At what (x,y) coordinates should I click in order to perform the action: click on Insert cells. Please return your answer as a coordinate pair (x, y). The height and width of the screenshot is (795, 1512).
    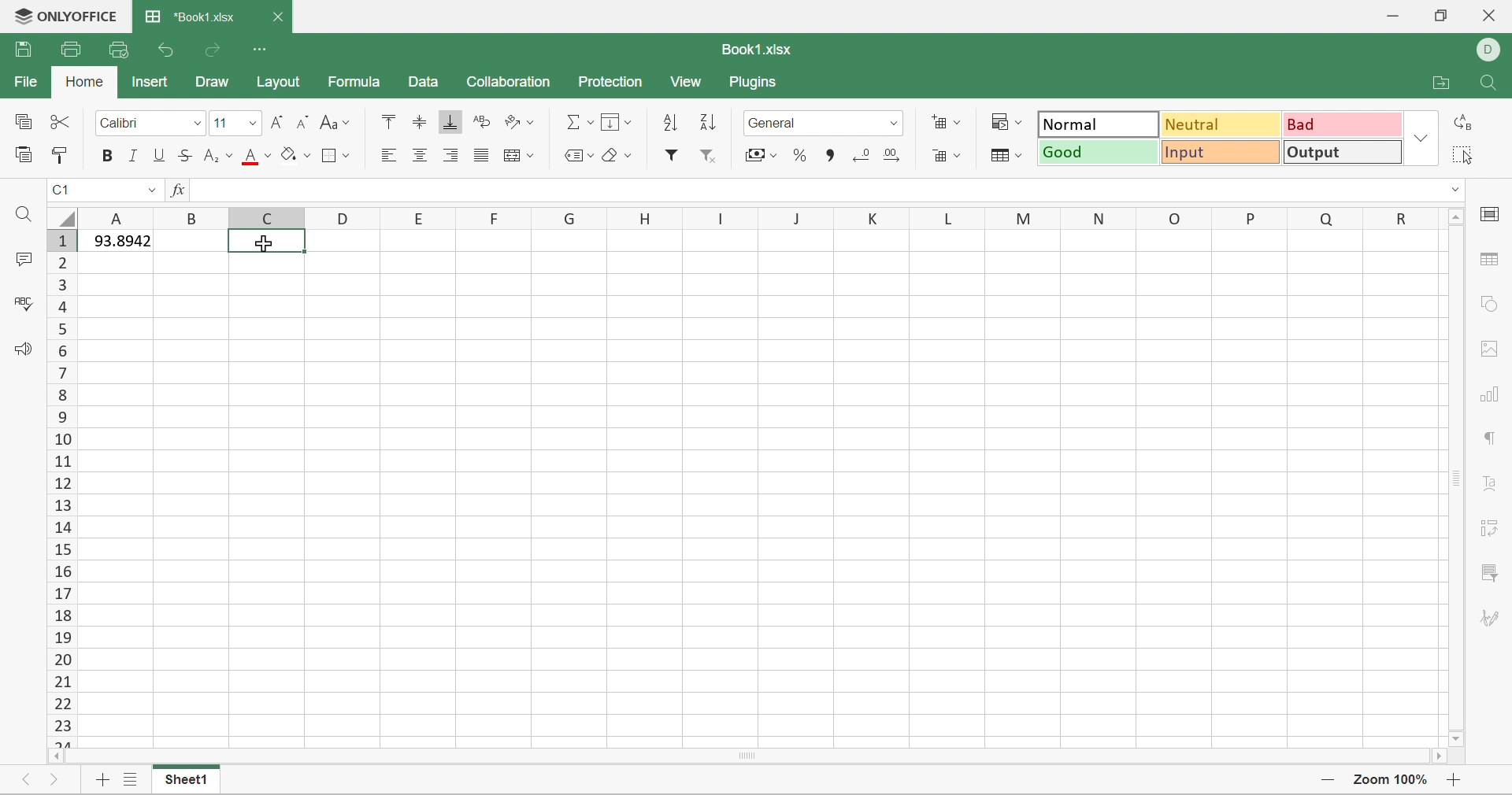
    Looking at the image, I should click on (945, 120).